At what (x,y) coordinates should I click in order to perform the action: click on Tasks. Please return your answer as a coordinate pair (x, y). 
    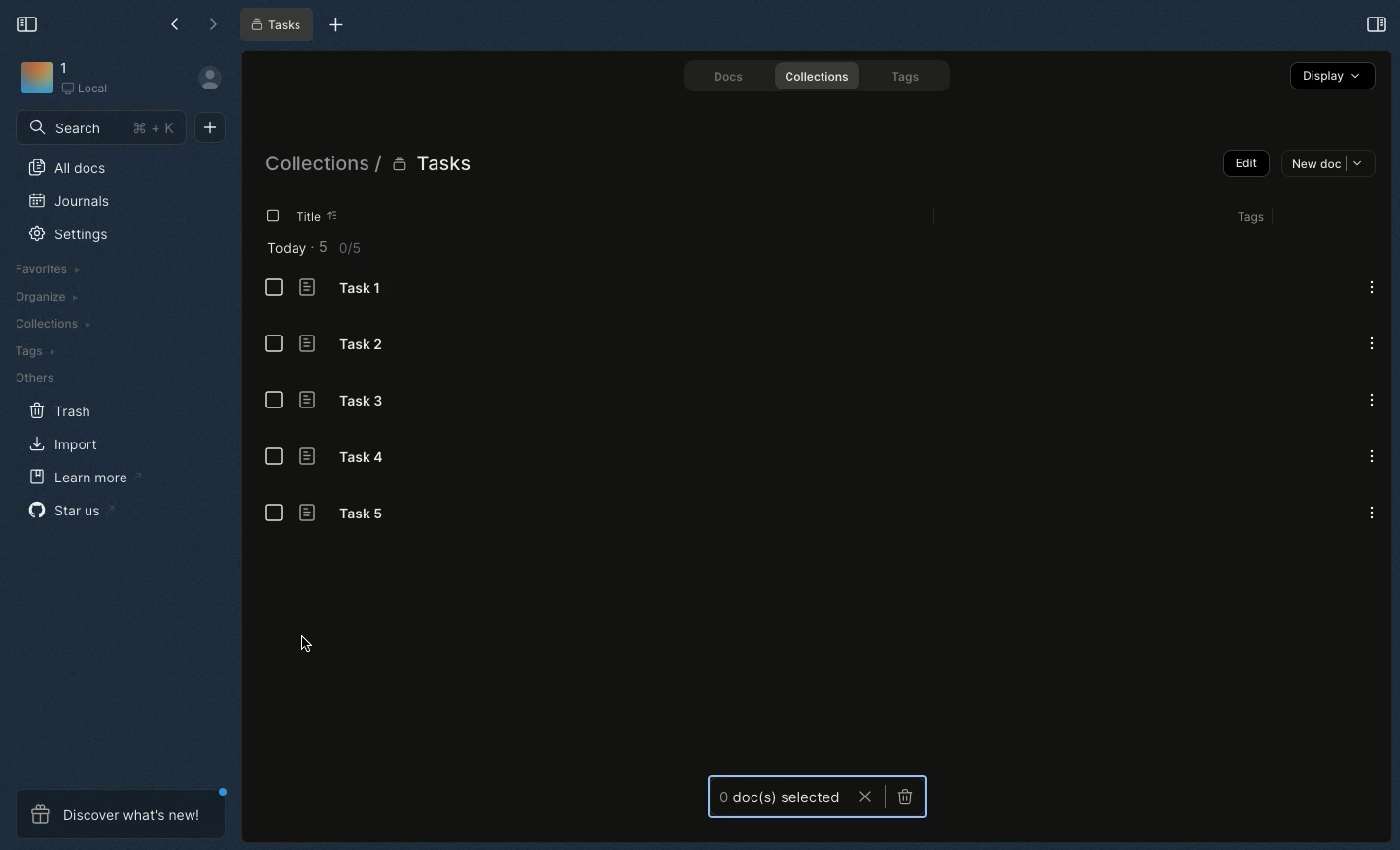
    Looking at the image, I should click on (436, 166).